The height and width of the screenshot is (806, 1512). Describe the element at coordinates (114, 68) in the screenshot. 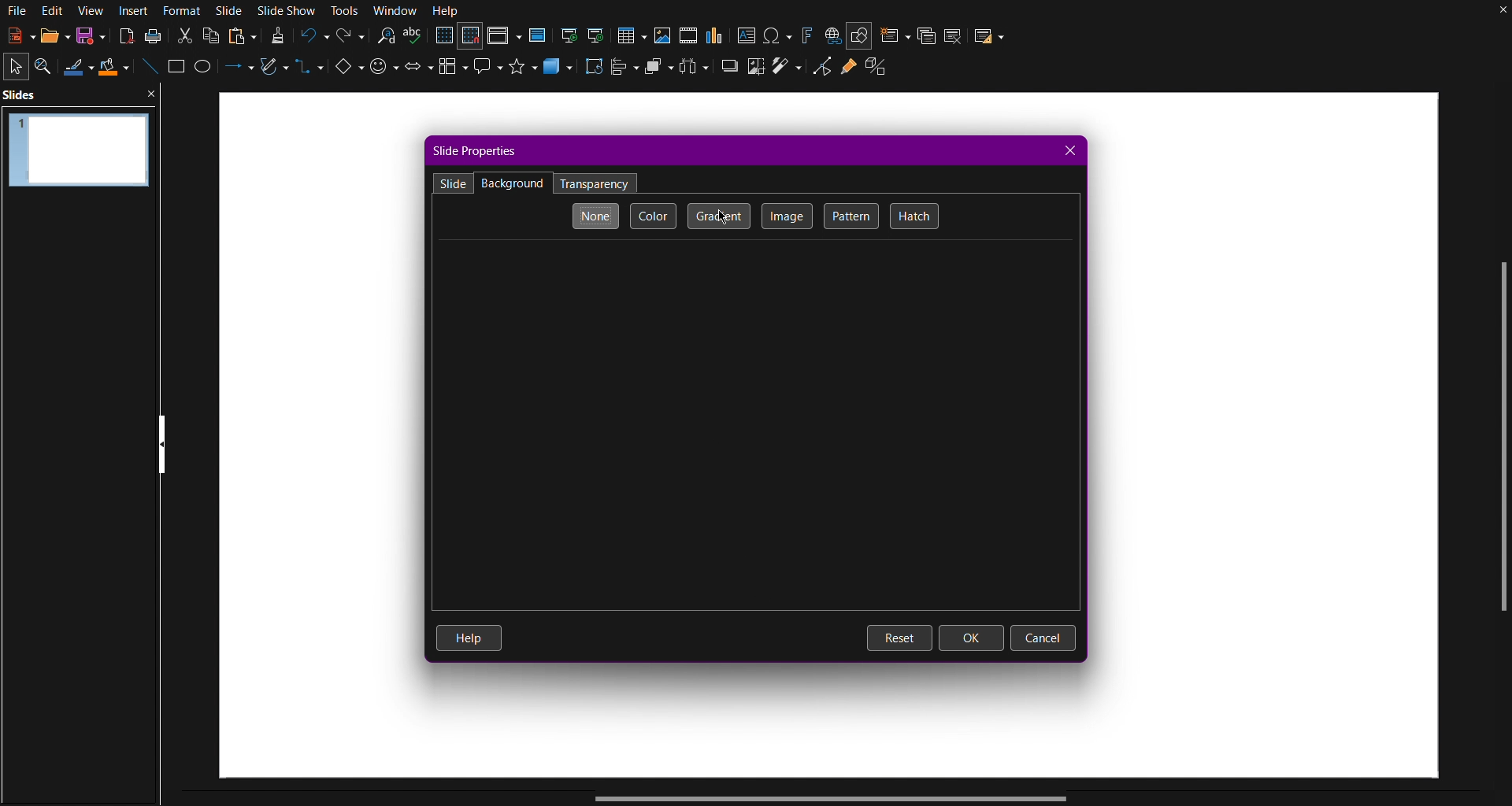

I see `Fill Color` at that location.